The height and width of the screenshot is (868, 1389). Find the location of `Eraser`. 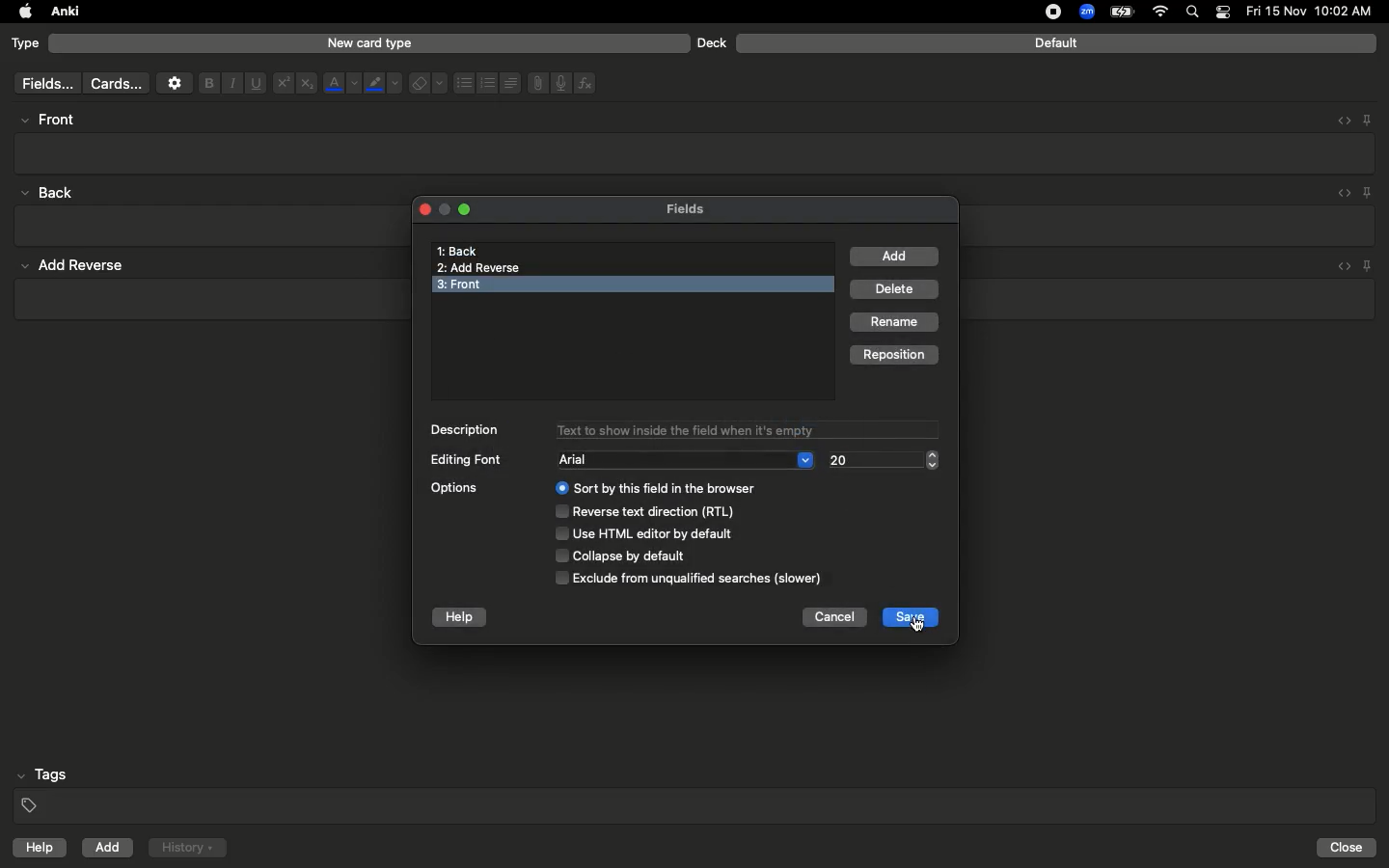

Eraser is located at coordinates (427, 84).